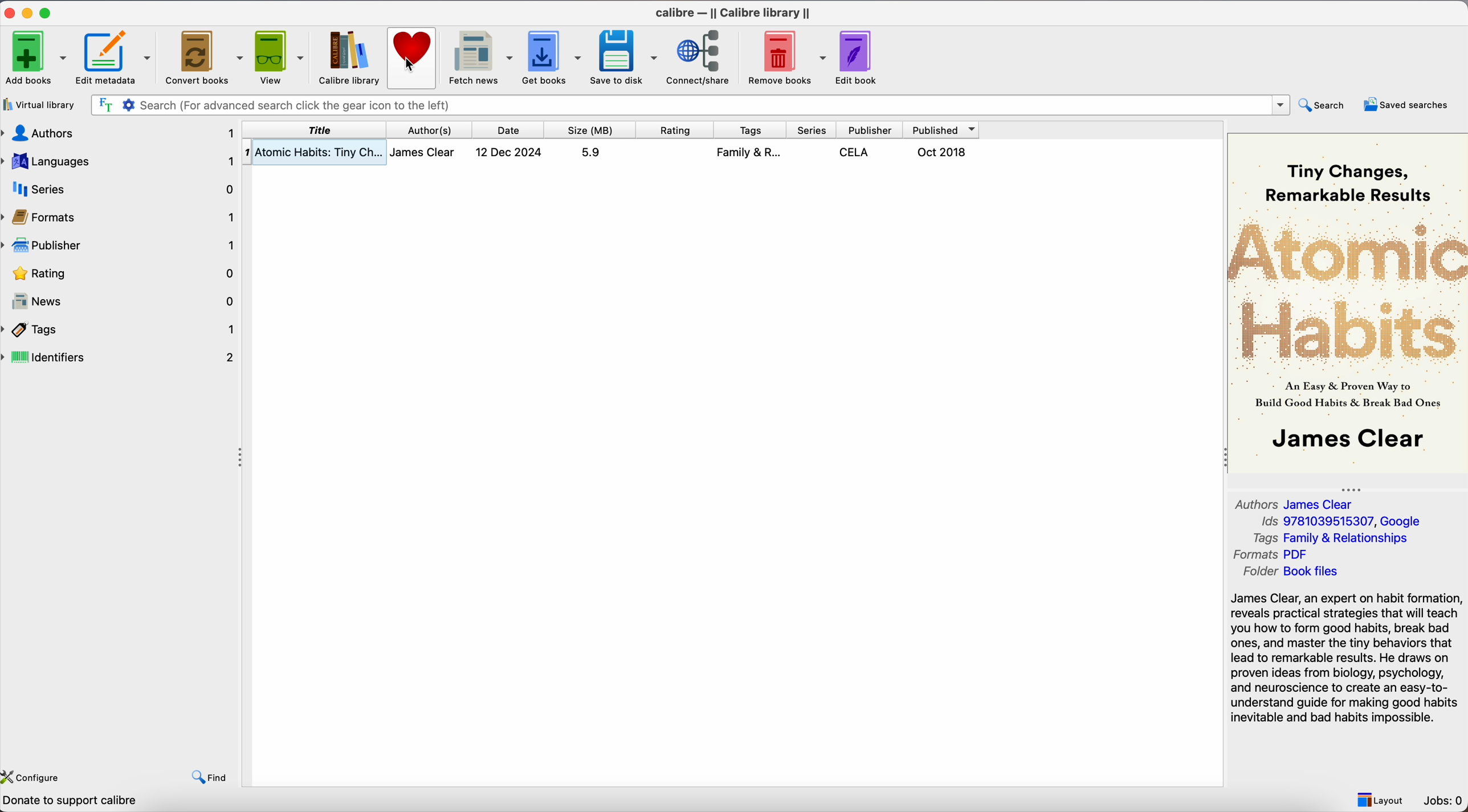 This screenshot has height=812, width=1468. Describe the element at coordinates (411, 67) in the screenshot. I see `cursor` at that location.